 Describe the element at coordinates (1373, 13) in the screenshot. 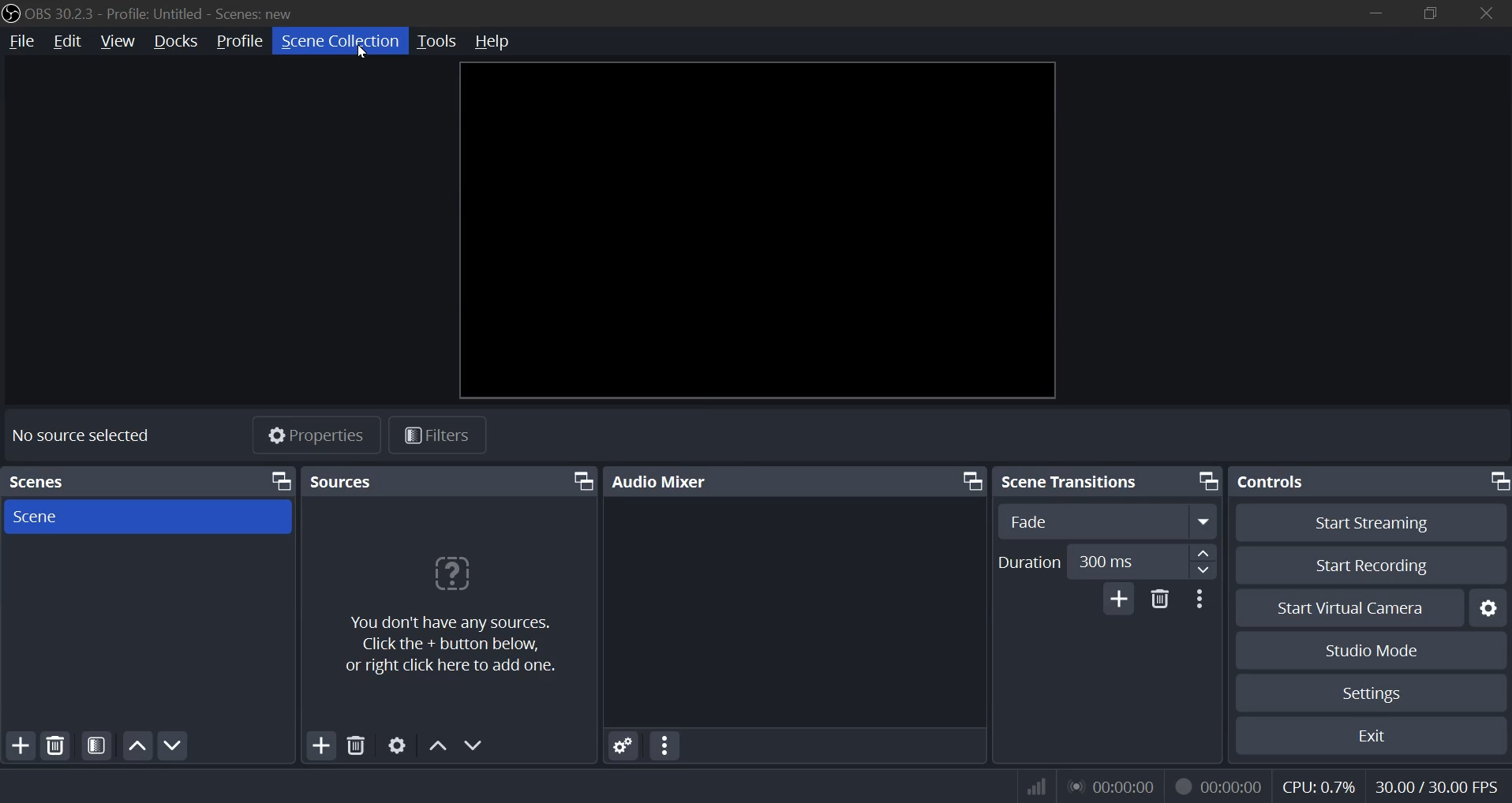

I see `minimize` at that location.